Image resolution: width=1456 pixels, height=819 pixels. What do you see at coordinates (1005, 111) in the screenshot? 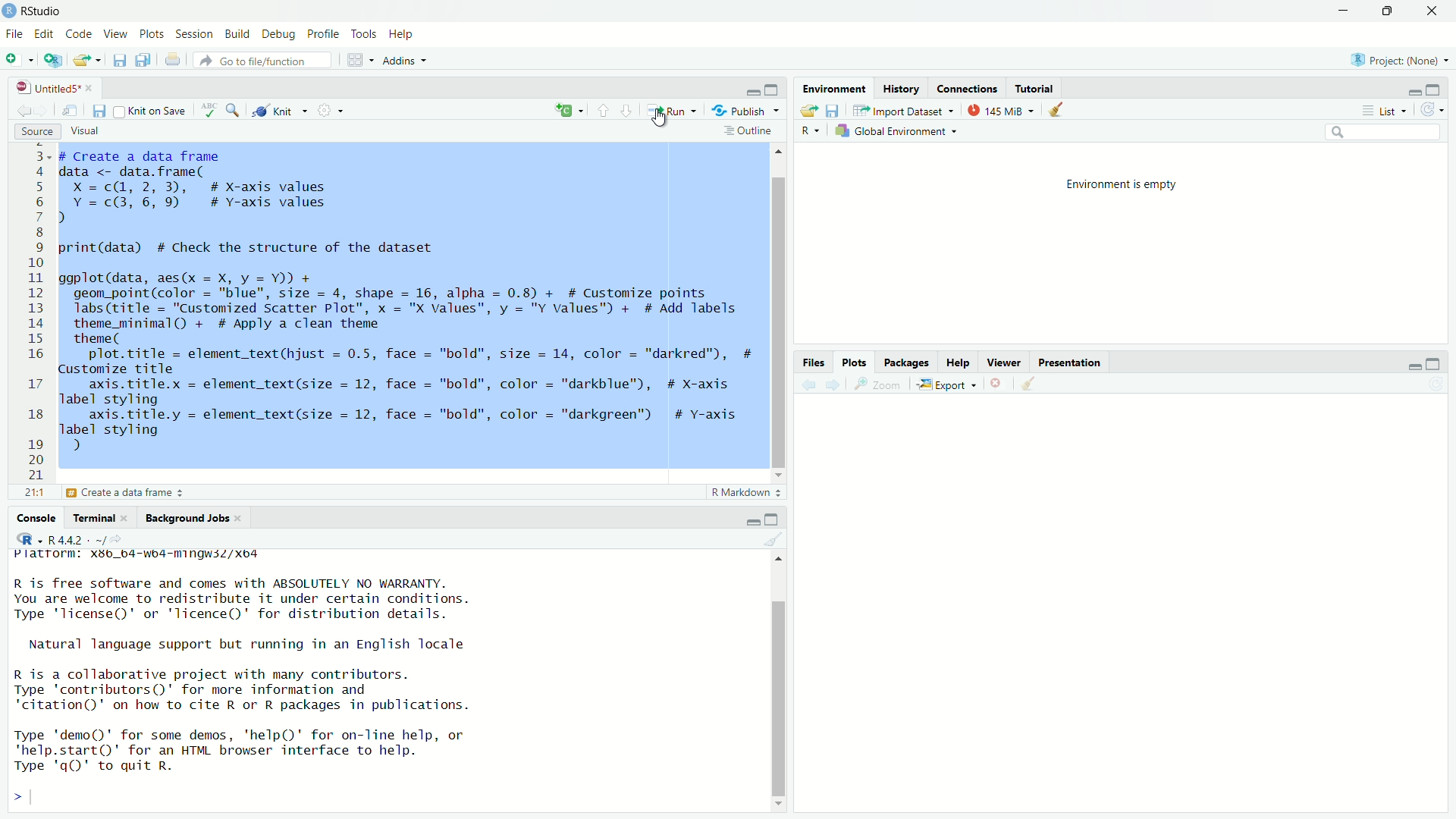
I see `145Mb used by the R session` at bounding box center [1005, 111].